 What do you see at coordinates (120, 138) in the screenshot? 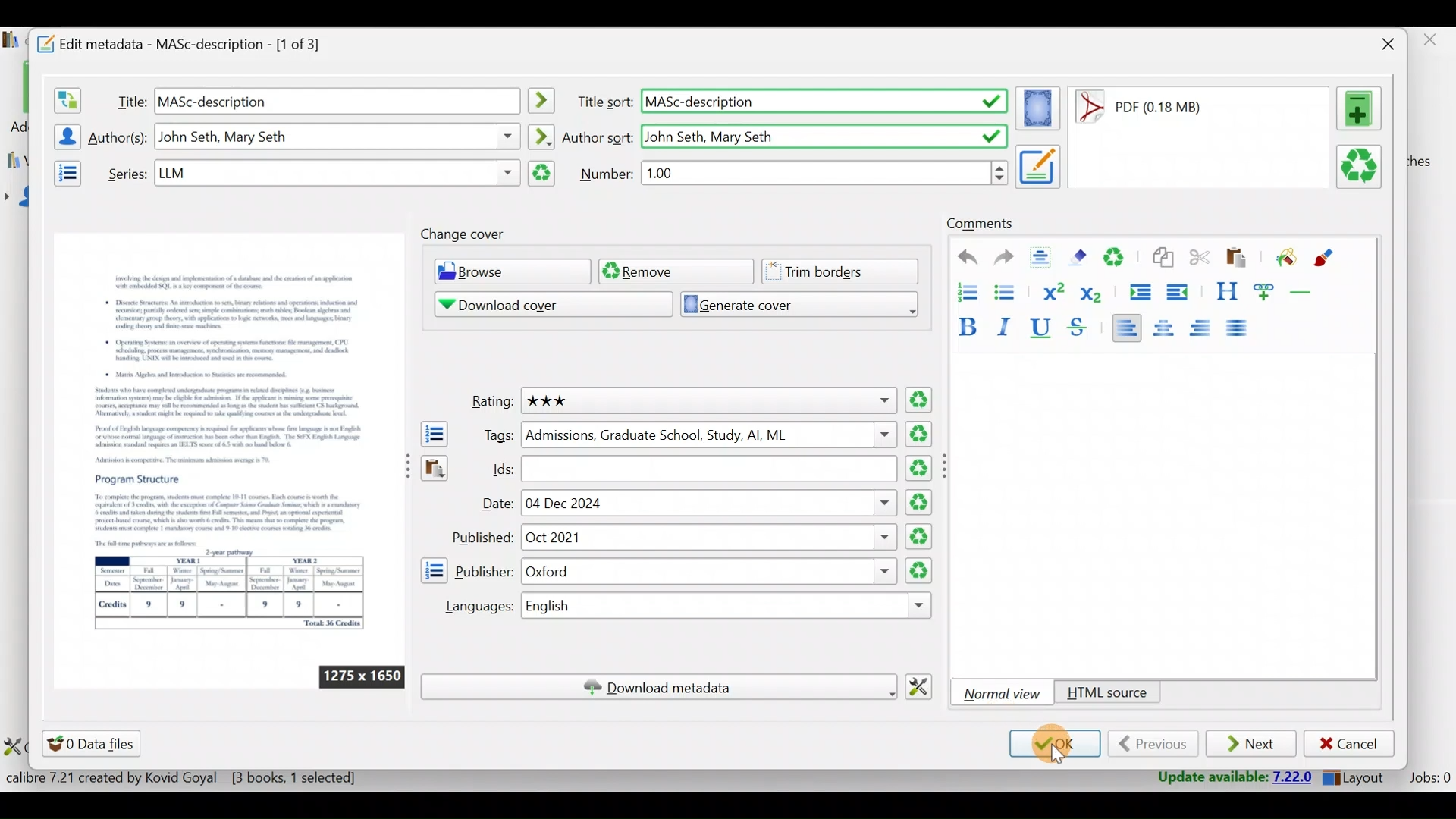
I see `Authors` at bounding box center [120, 138].